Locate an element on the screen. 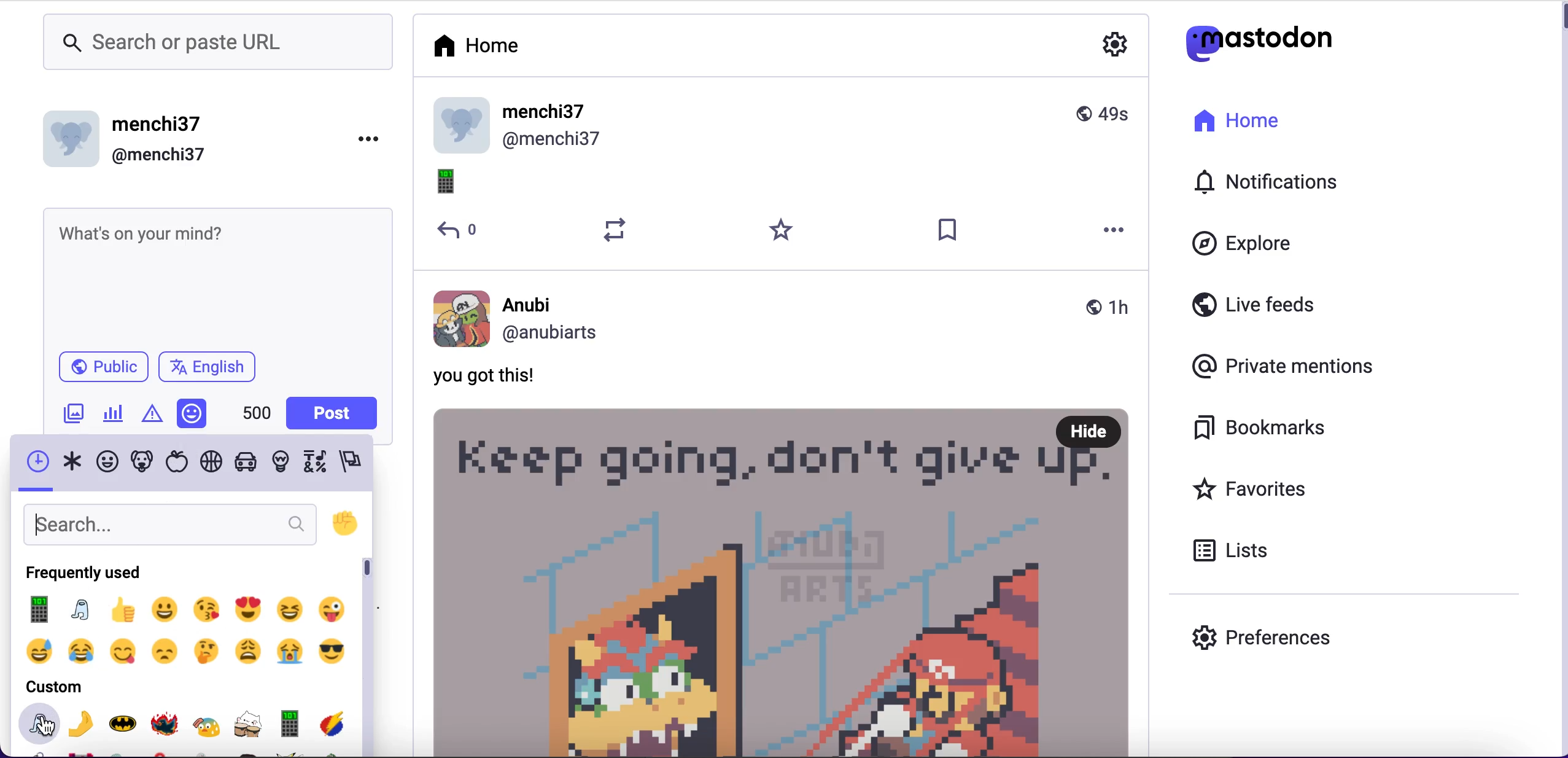  english is located at coordinates (217, 368).